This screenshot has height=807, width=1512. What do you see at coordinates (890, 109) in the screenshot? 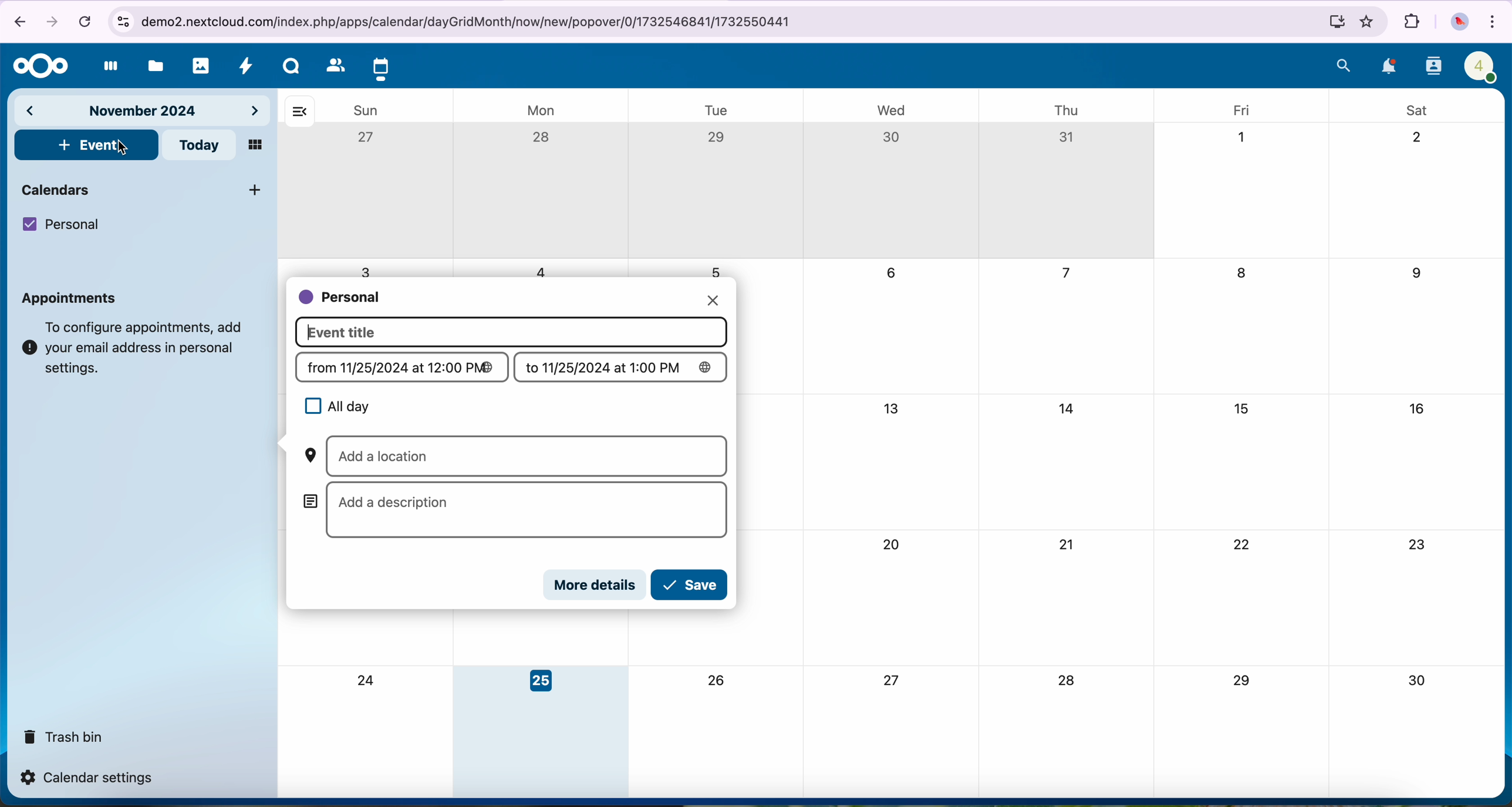
I see `wed` at bounding box center [890, 109].